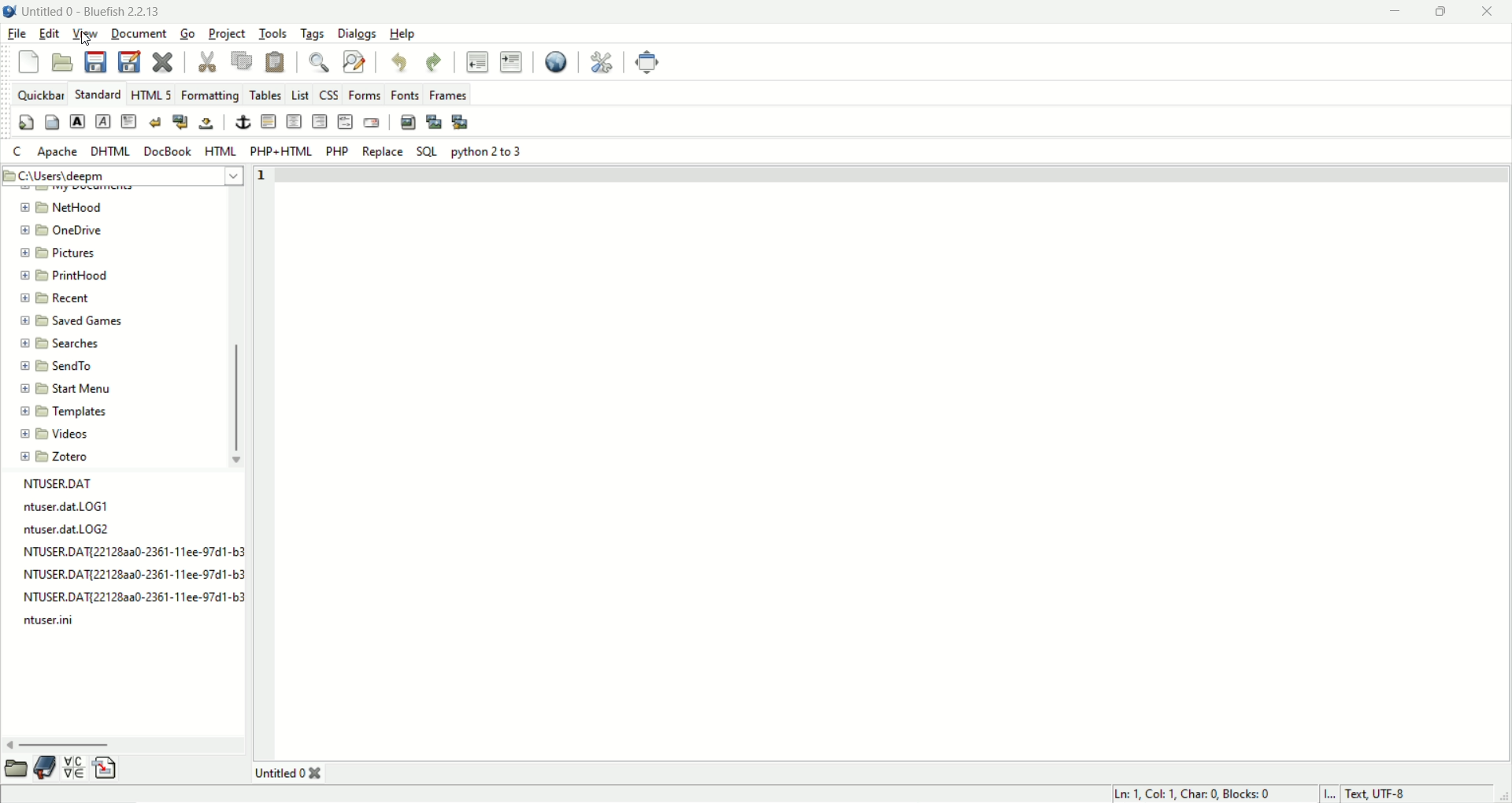 Image resolution: width=1512 pixels, height=803 pixels. Describe the element at coordinates (1398, 12) in the screenshot. I see `minimize` at that location.